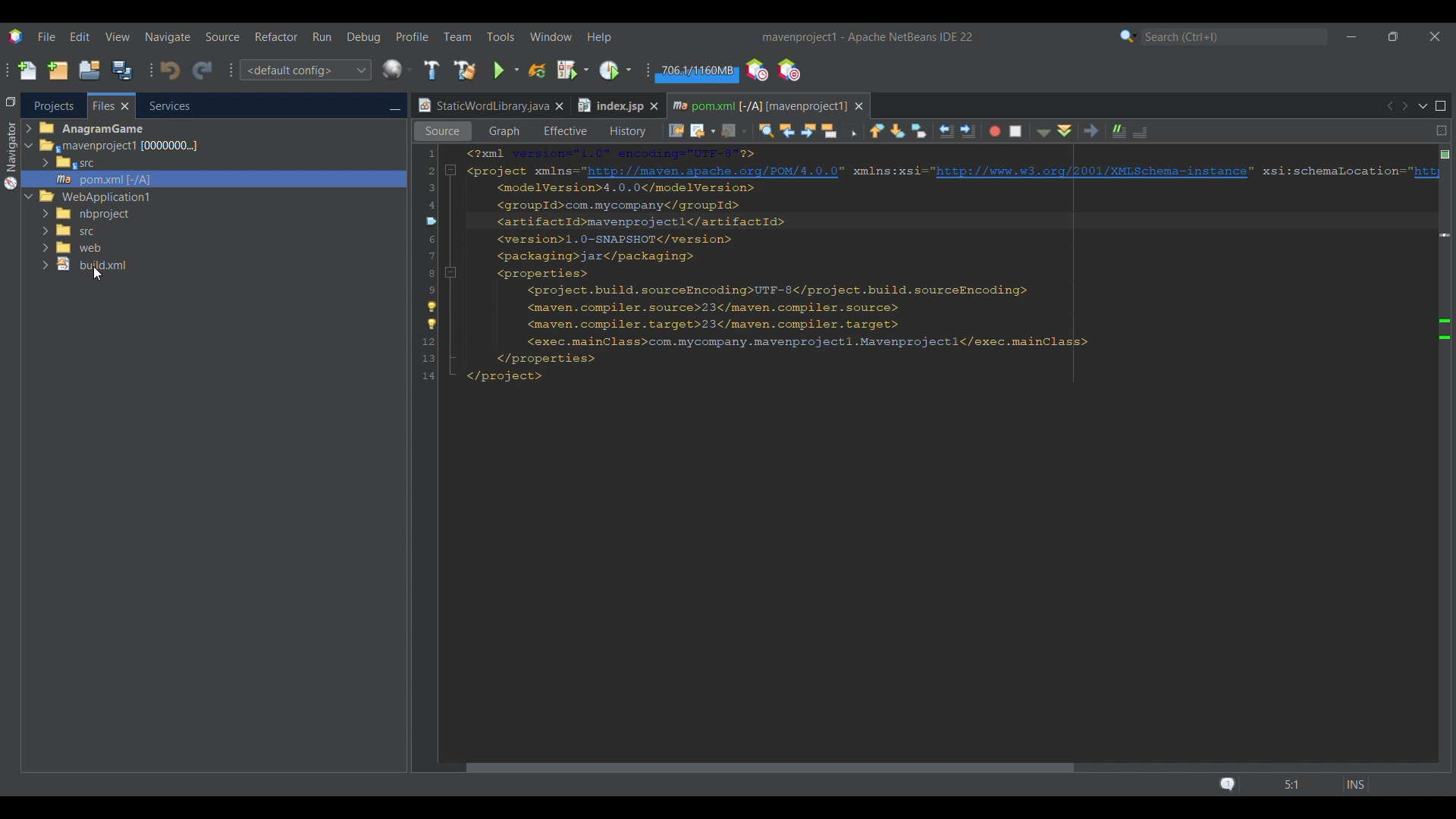  Describe the element at coordinates (699, 130) in the screenshot. I see `Back options` at that location.